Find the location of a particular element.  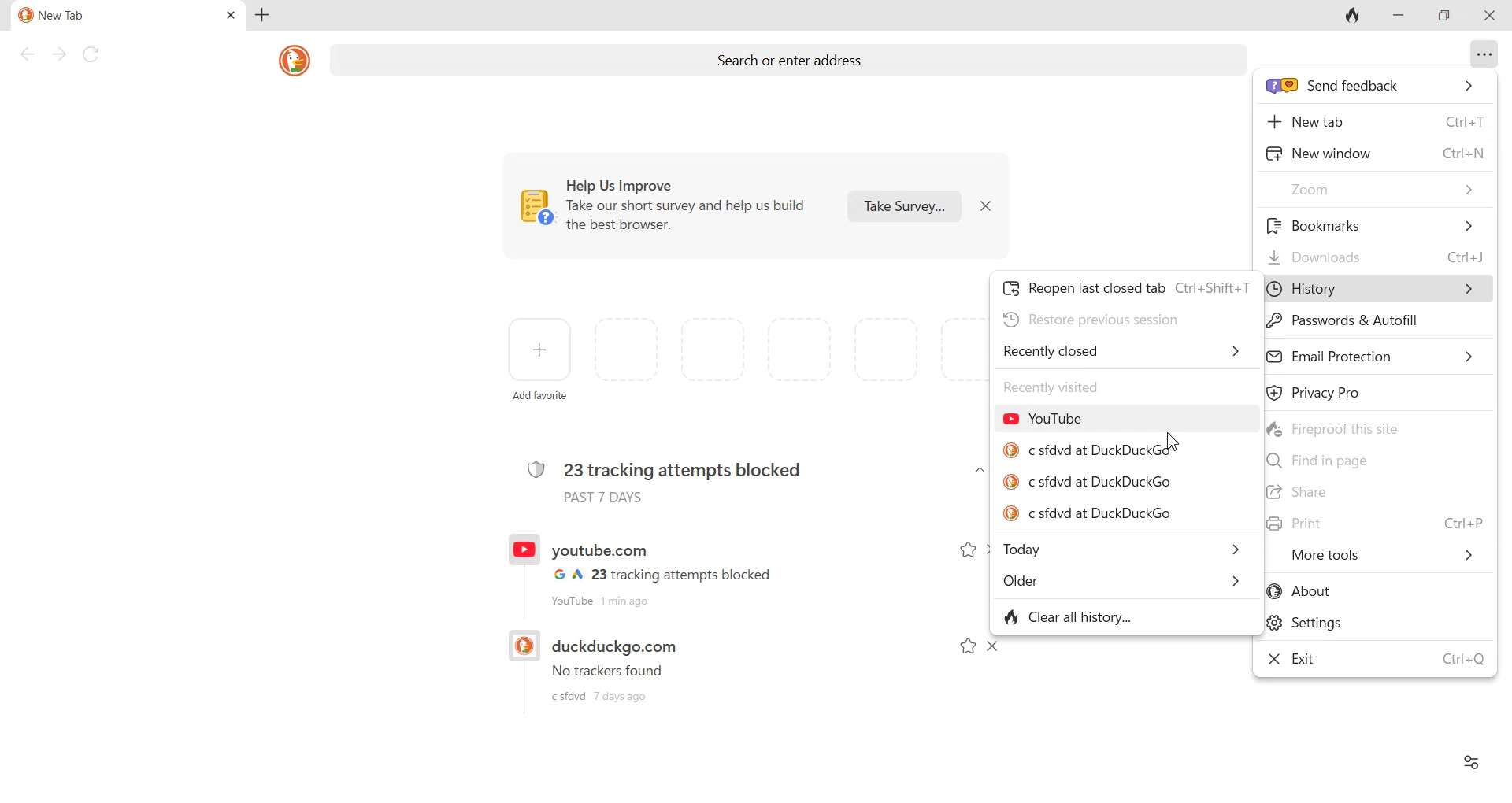

Add to favorite is located at coordinates (967, 550).